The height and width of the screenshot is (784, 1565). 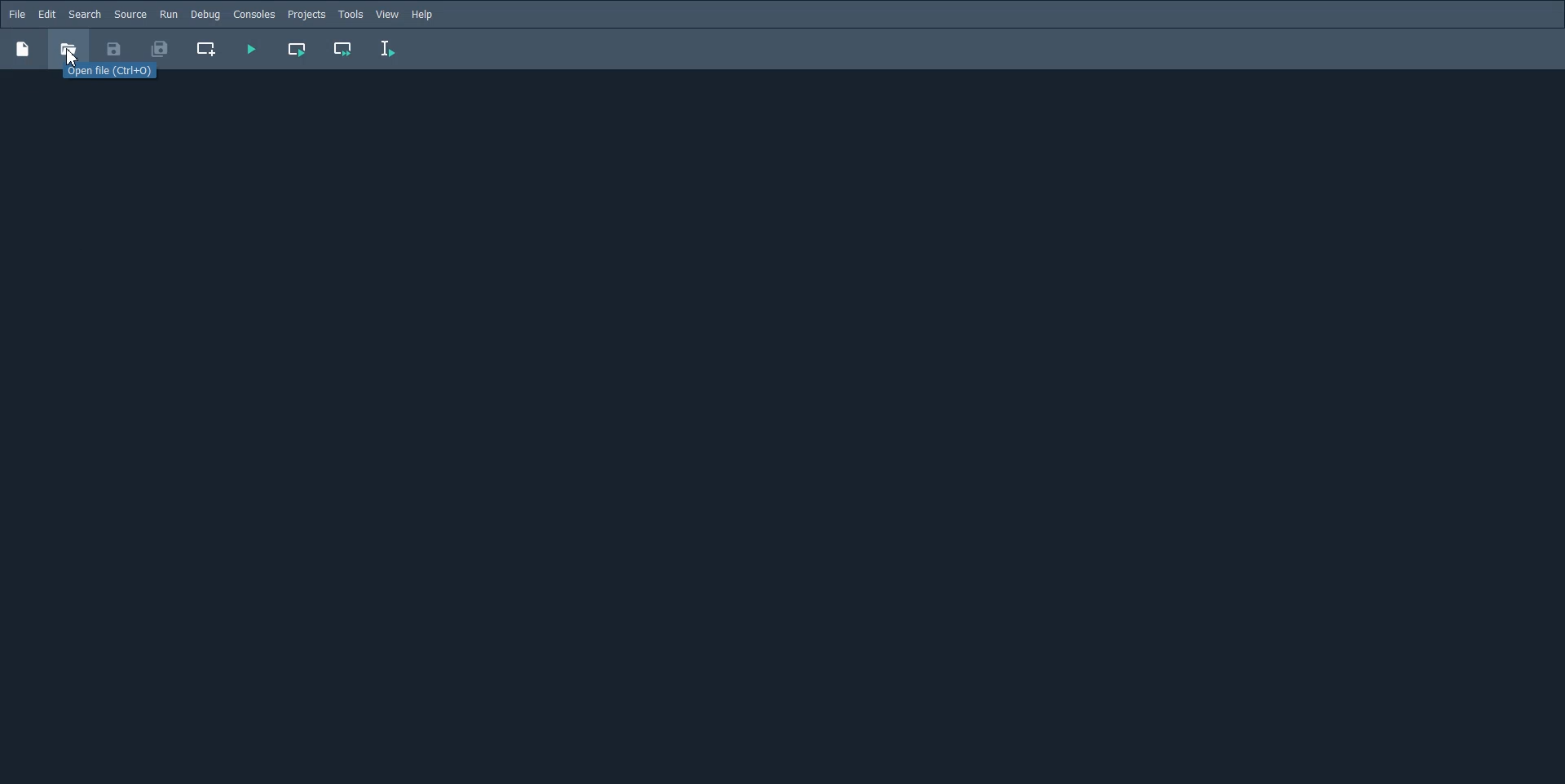 What do you see at coordinates (424, 15) in the screenshot?
I see `Help` at bounding box center [424, 15].